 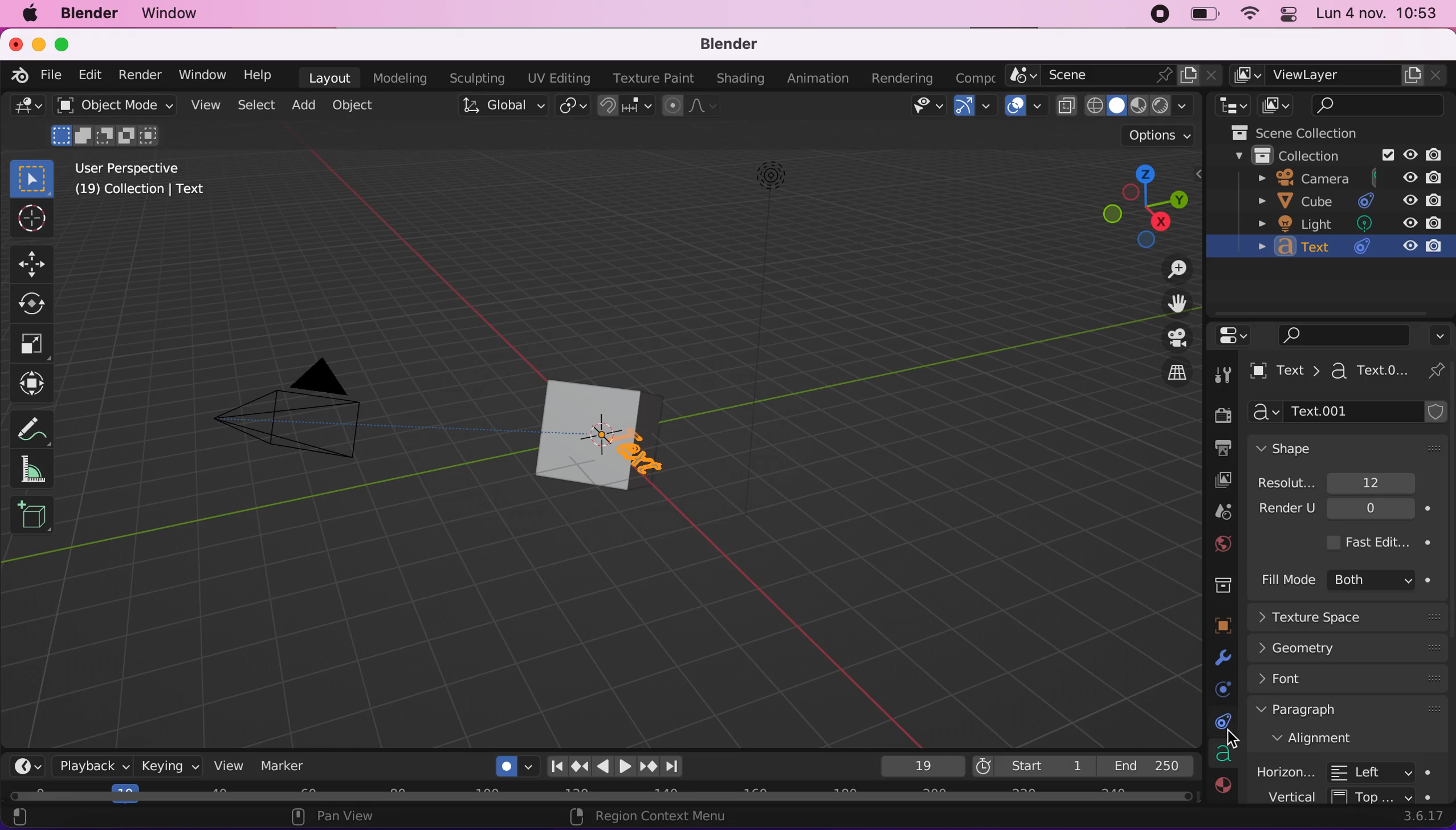 What do you see at coordinates (116, 124) in the screenshot?
I see `object mode` at bounding box center [116, 124].